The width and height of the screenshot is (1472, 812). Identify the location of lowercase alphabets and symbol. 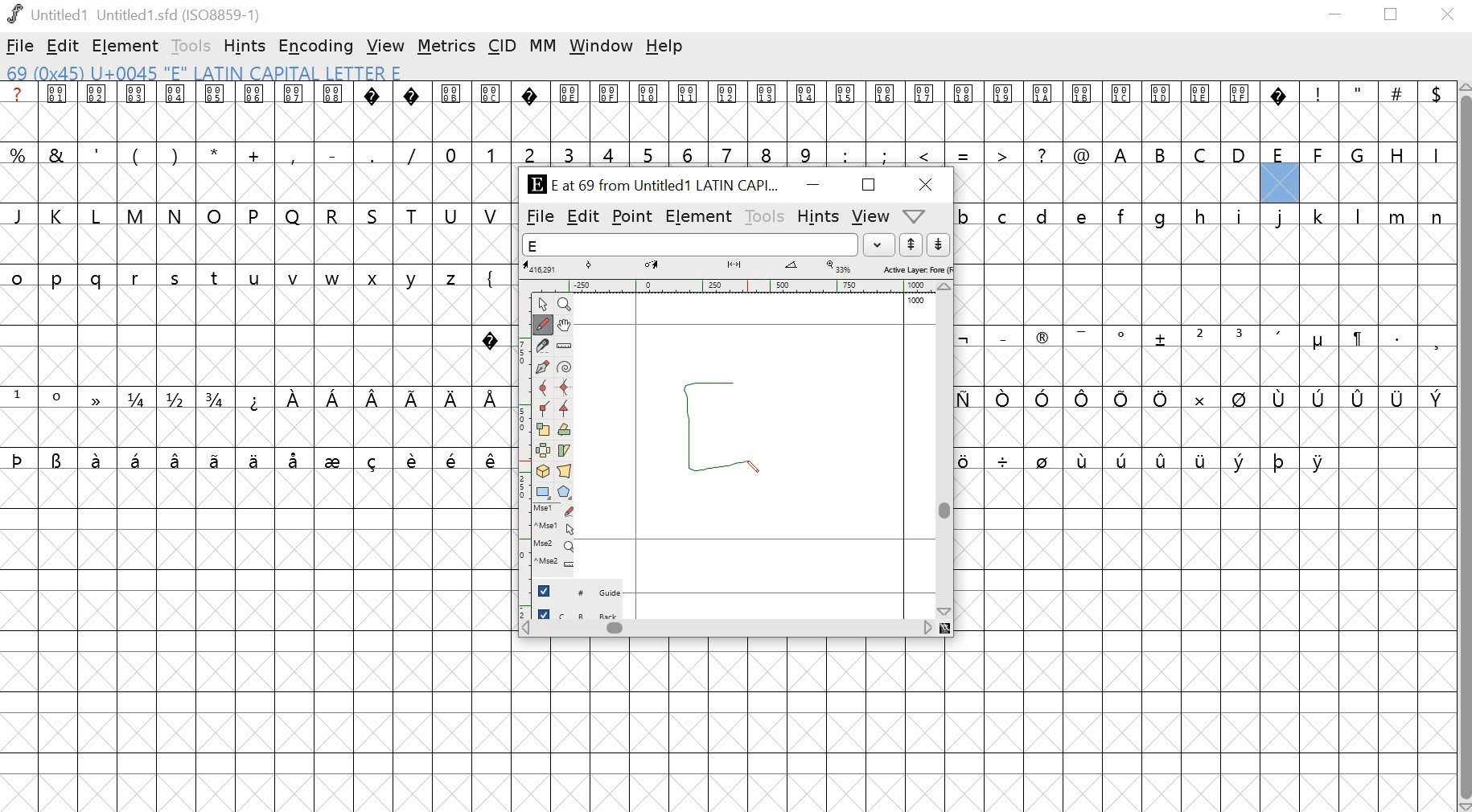
(255, 278).